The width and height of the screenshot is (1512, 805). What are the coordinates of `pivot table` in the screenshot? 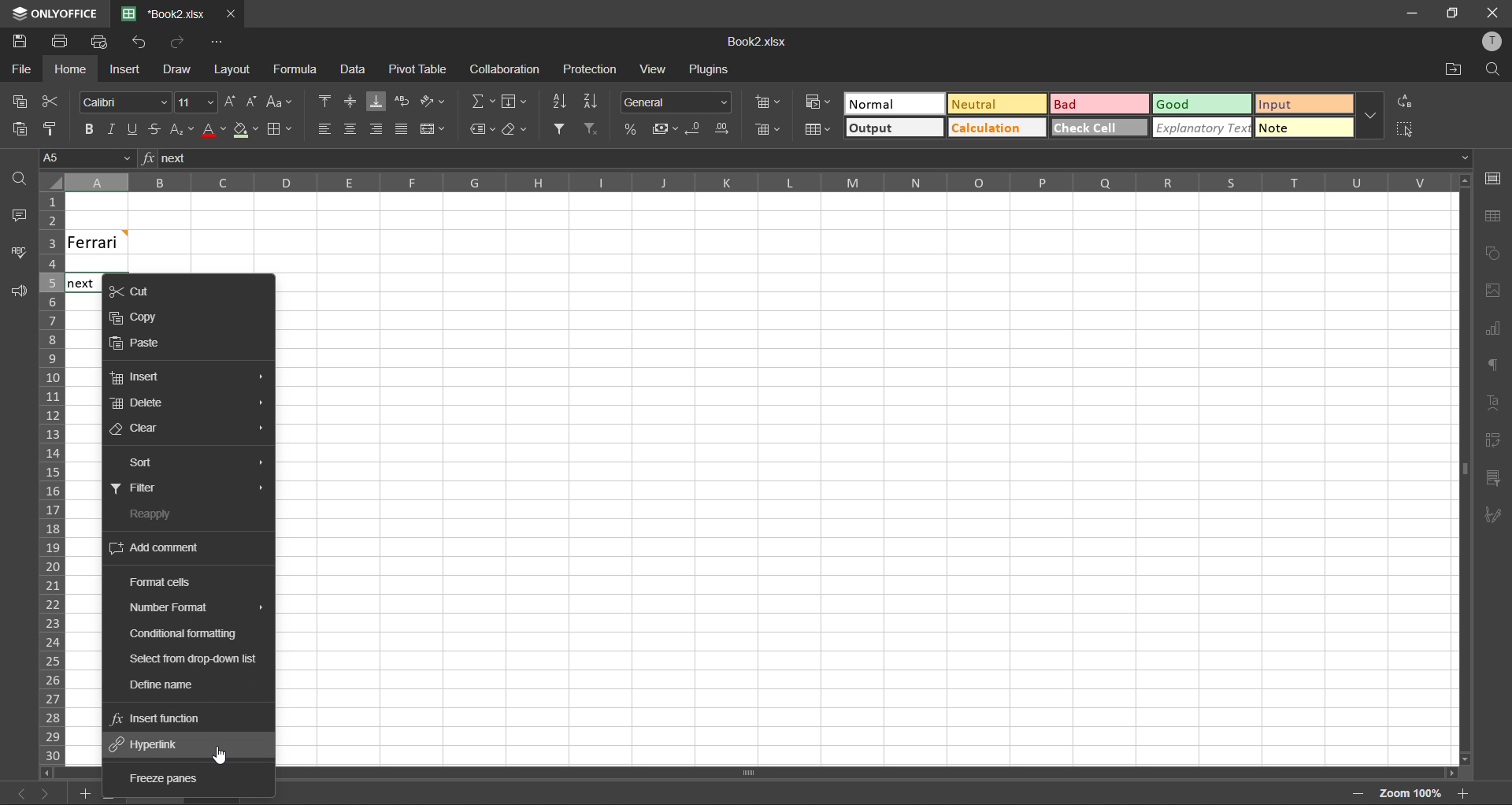 It's located at (1493, 440).